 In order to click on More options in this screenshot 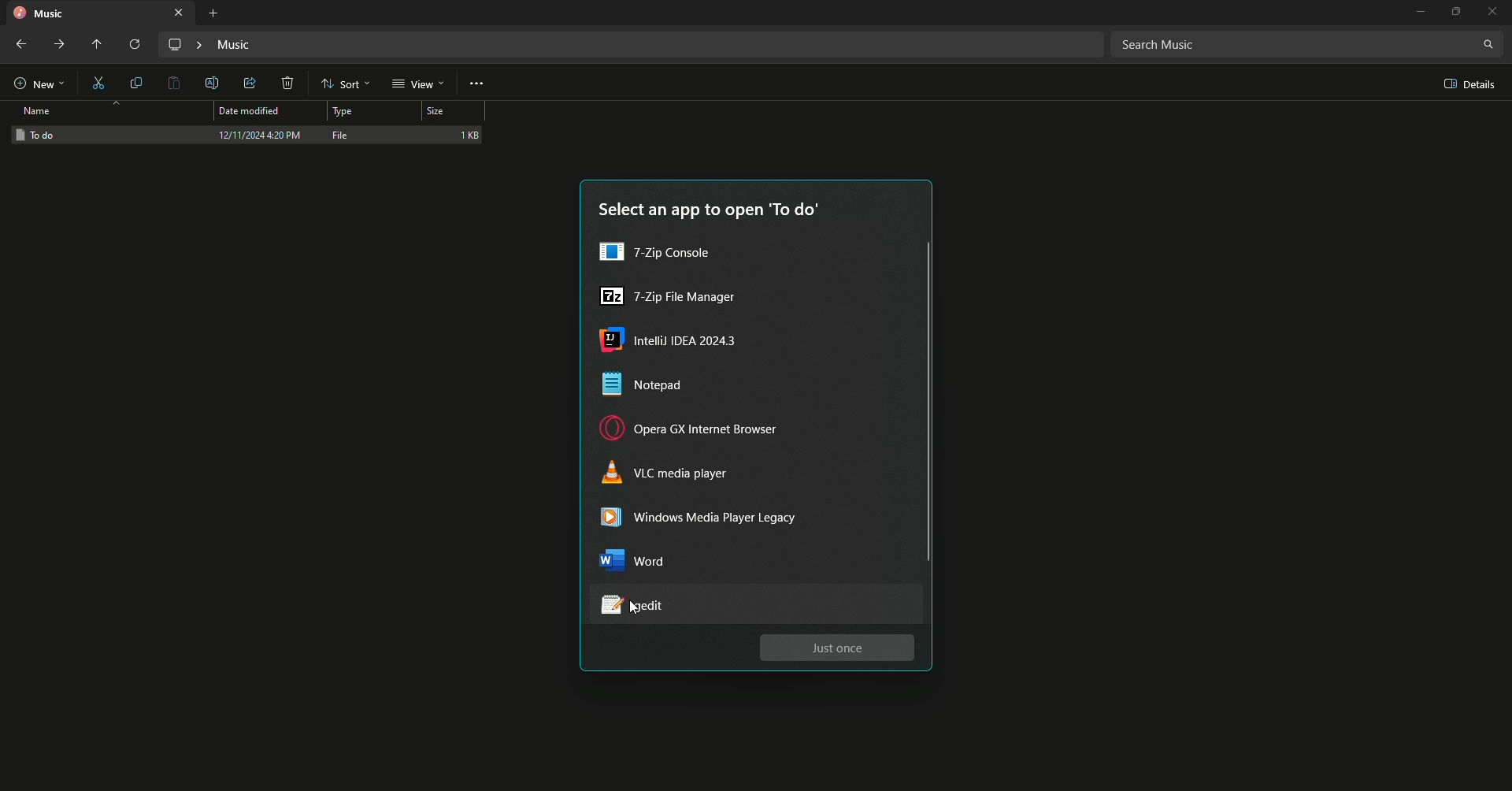, I will do `click(479, 87)`.